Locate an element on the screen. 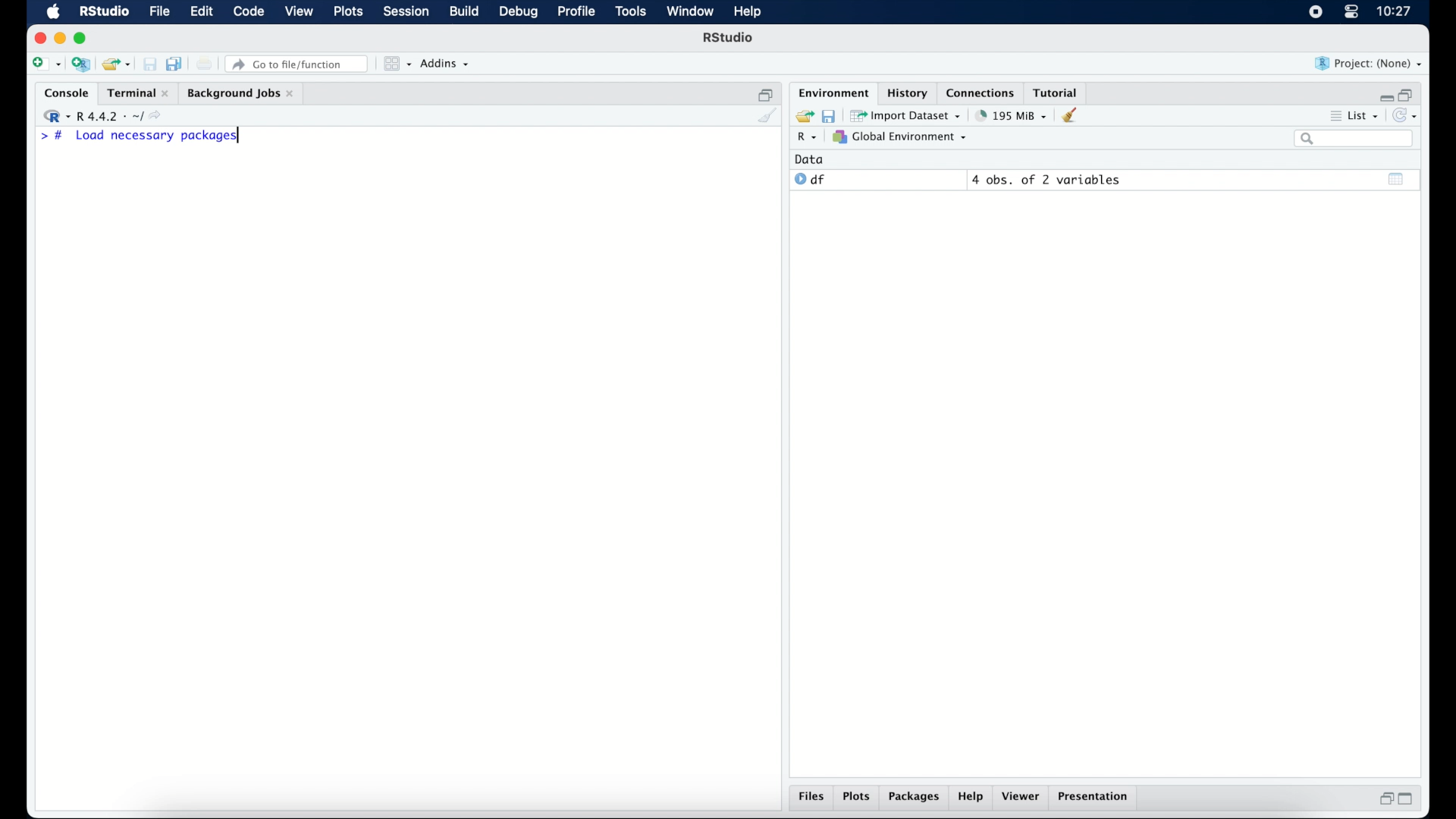  R 4.4.2 is located at coordinates (106, 117).